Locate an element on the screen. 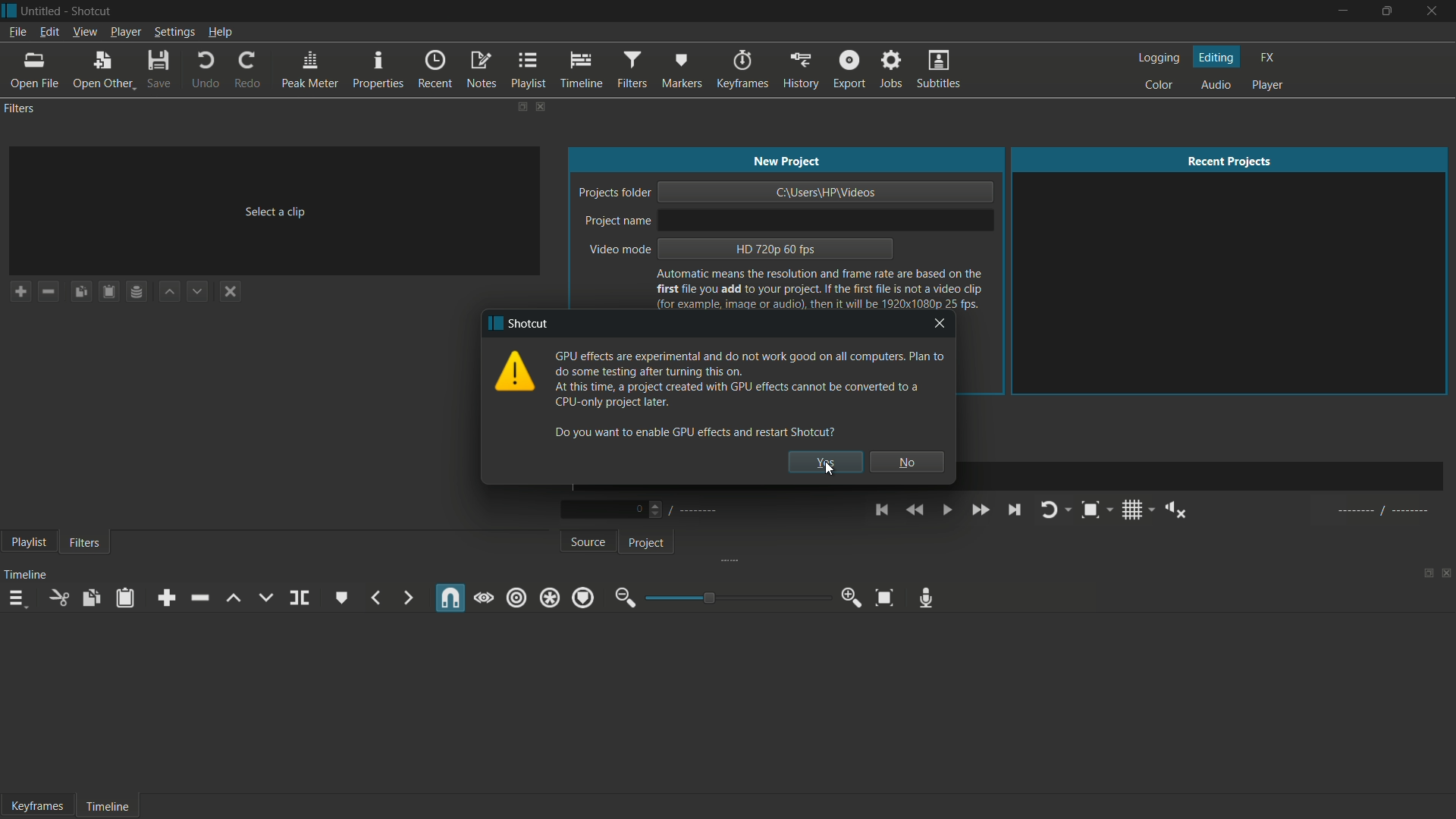 This screenshot has width=1456, height=819. keyframes is located at coordinates (741, 70).